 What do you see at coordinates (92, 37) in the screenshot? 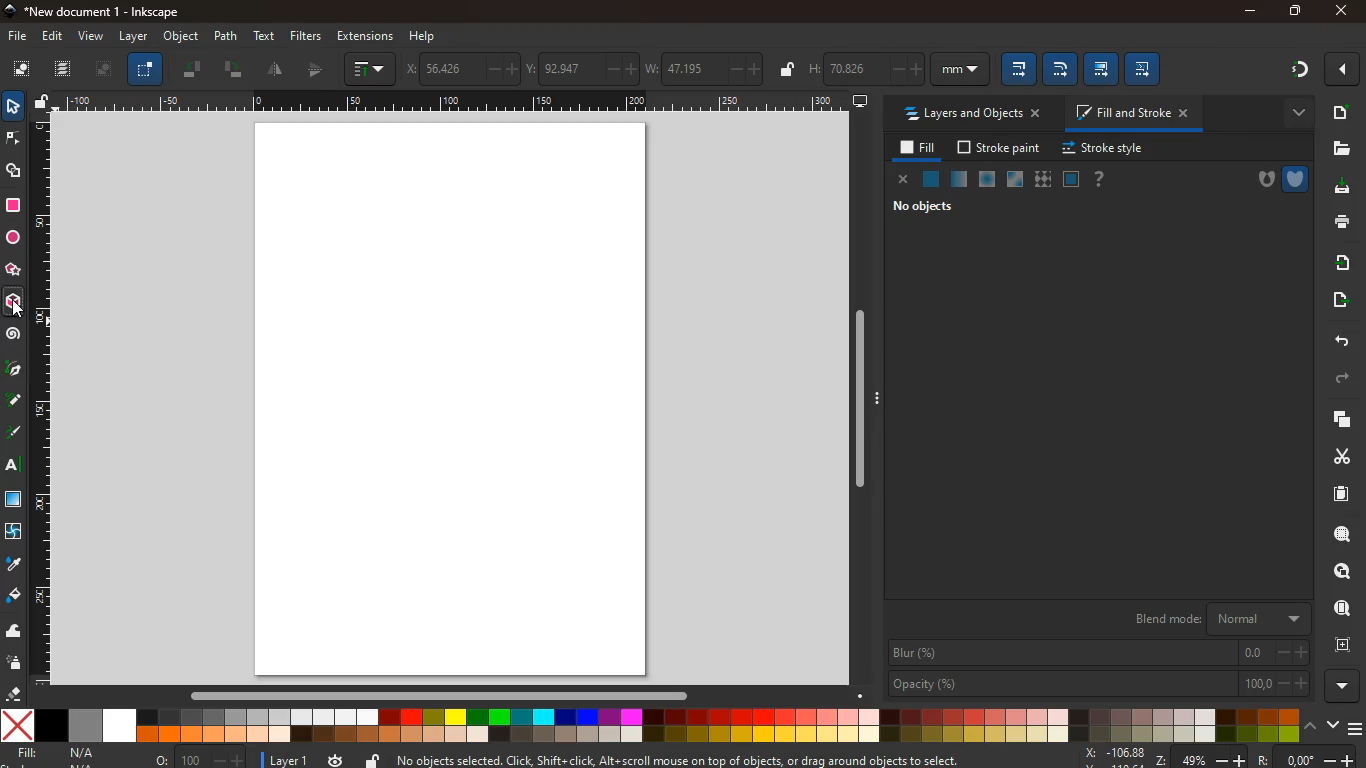
I see `view` at bounding box center [92, 37].